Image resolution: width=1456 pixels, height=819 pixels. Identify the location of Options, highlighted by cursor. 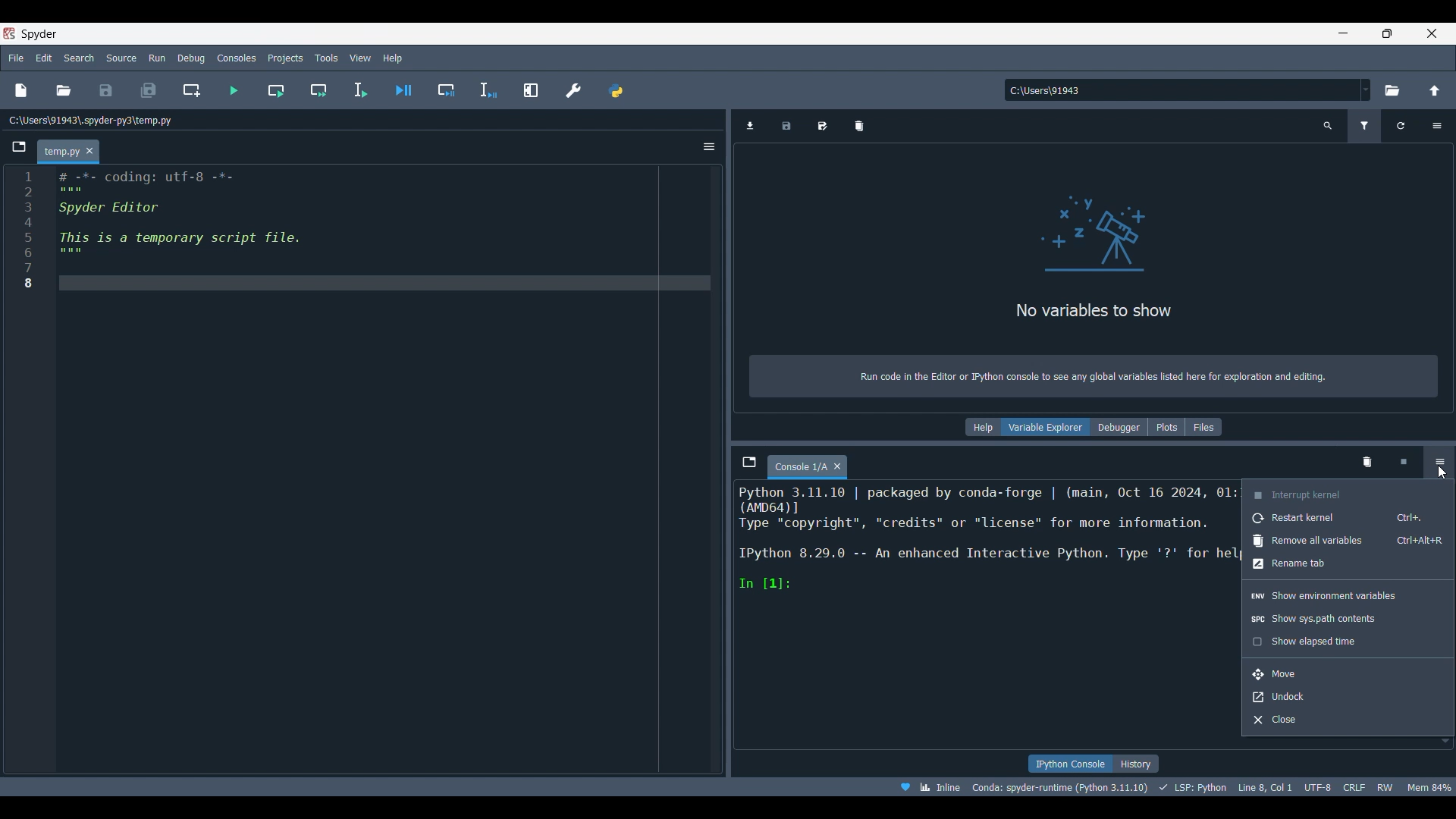
(1439, 463).